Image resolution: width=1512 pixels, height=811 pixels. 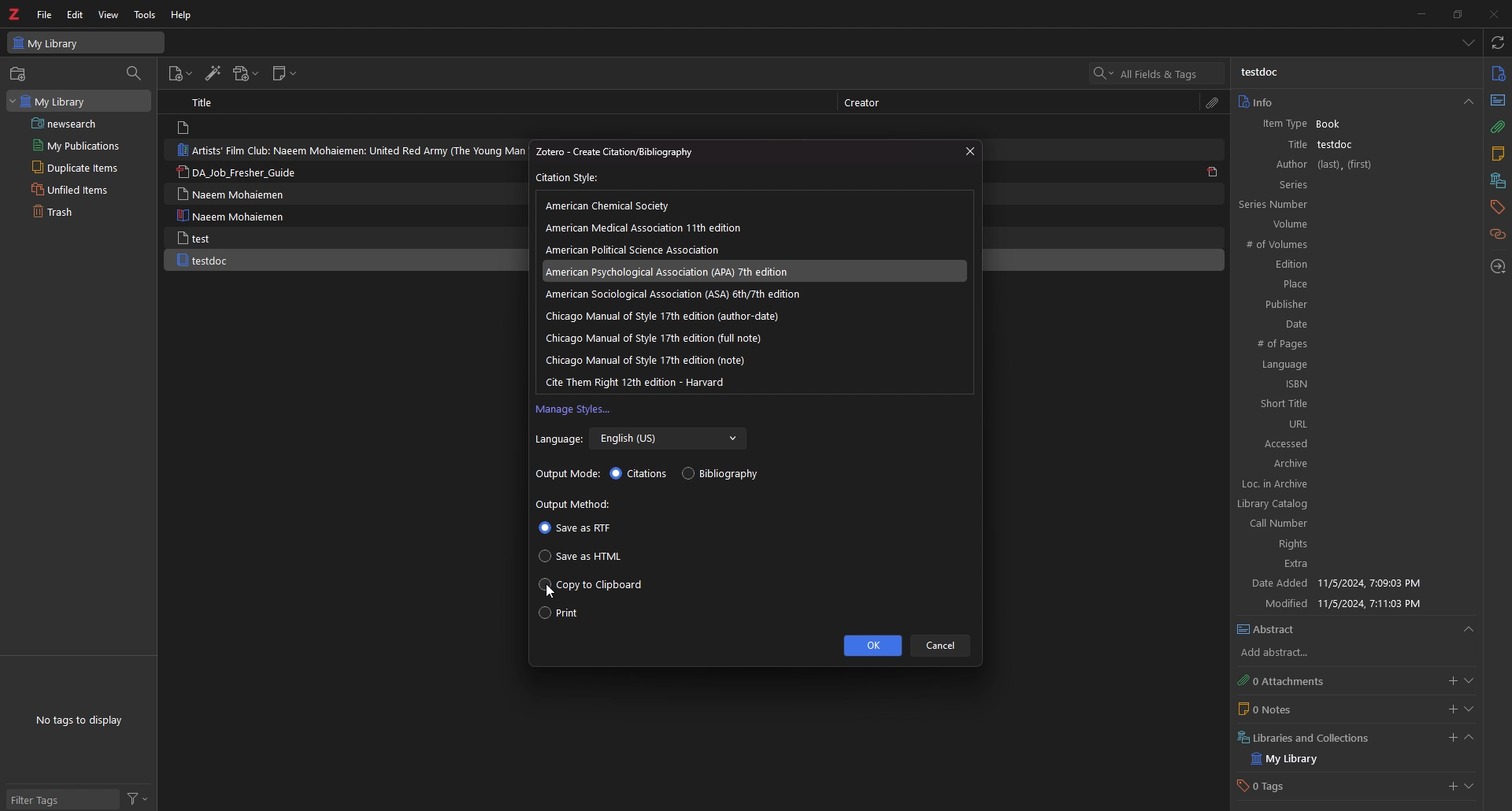 I want to click on print, so click(x=559, y=615).